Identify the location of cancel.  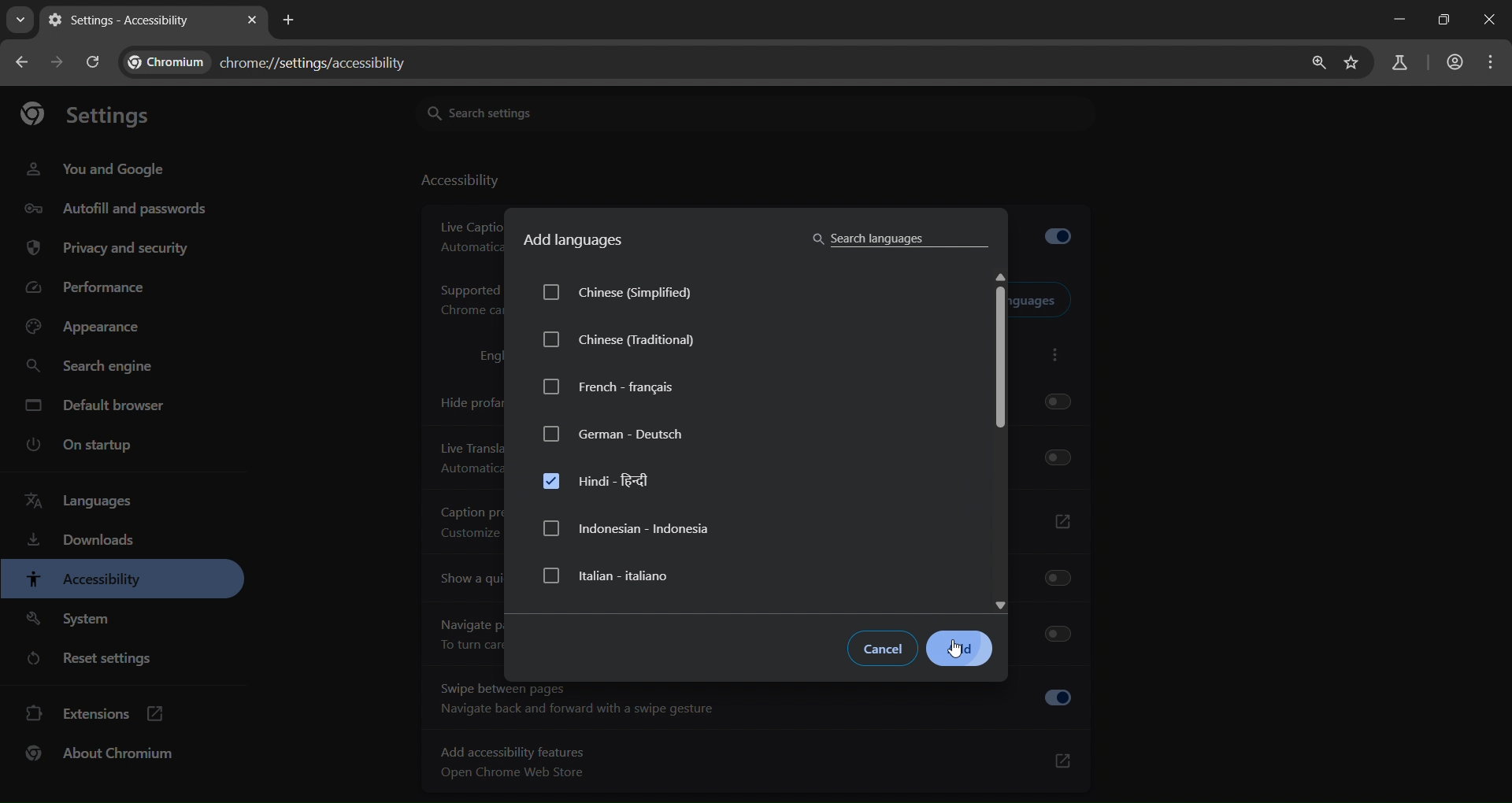
(885, 649).